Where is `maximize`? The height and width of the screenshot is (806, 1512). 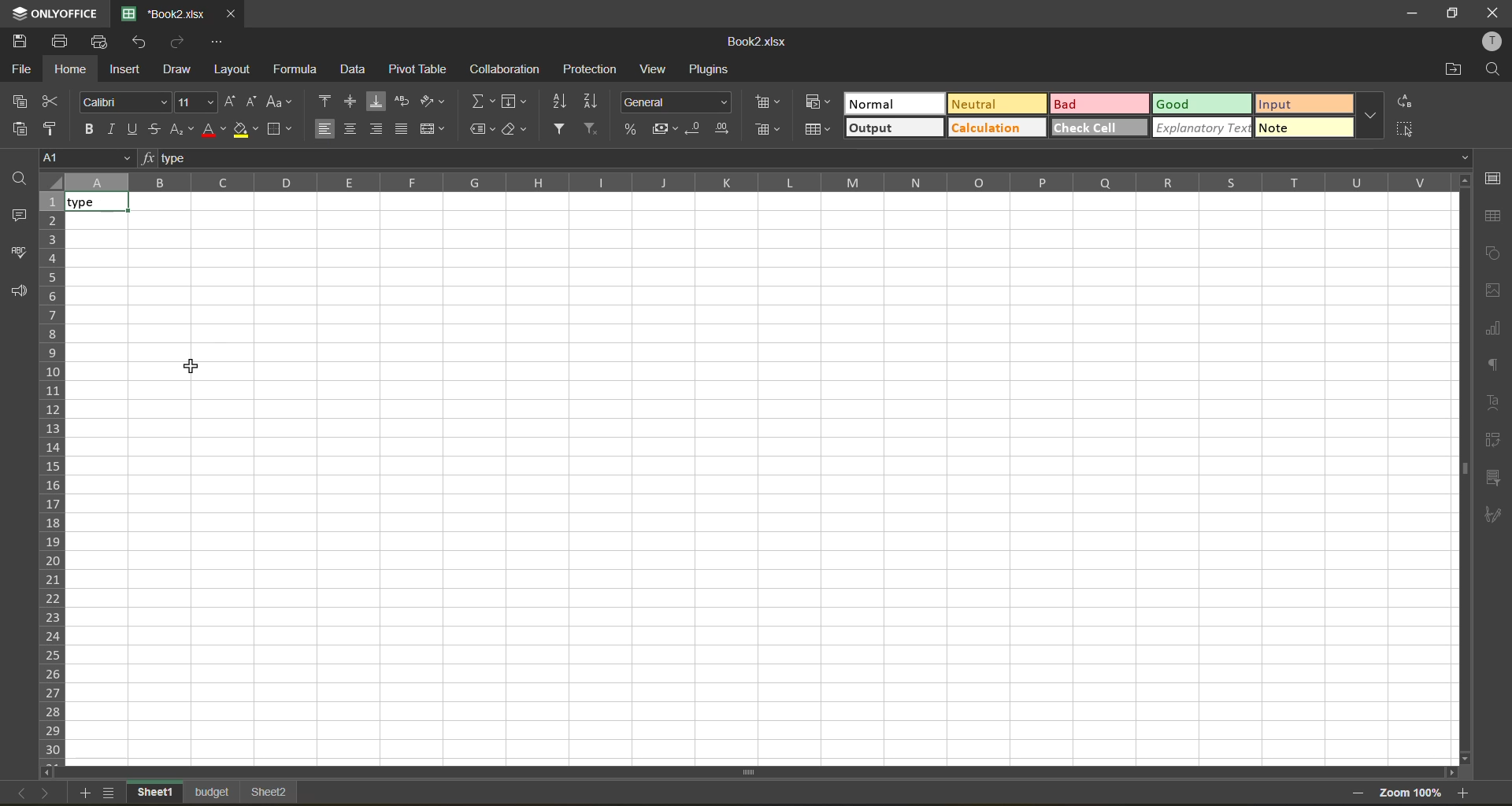 maximize is located at coordinates (1455, 13).